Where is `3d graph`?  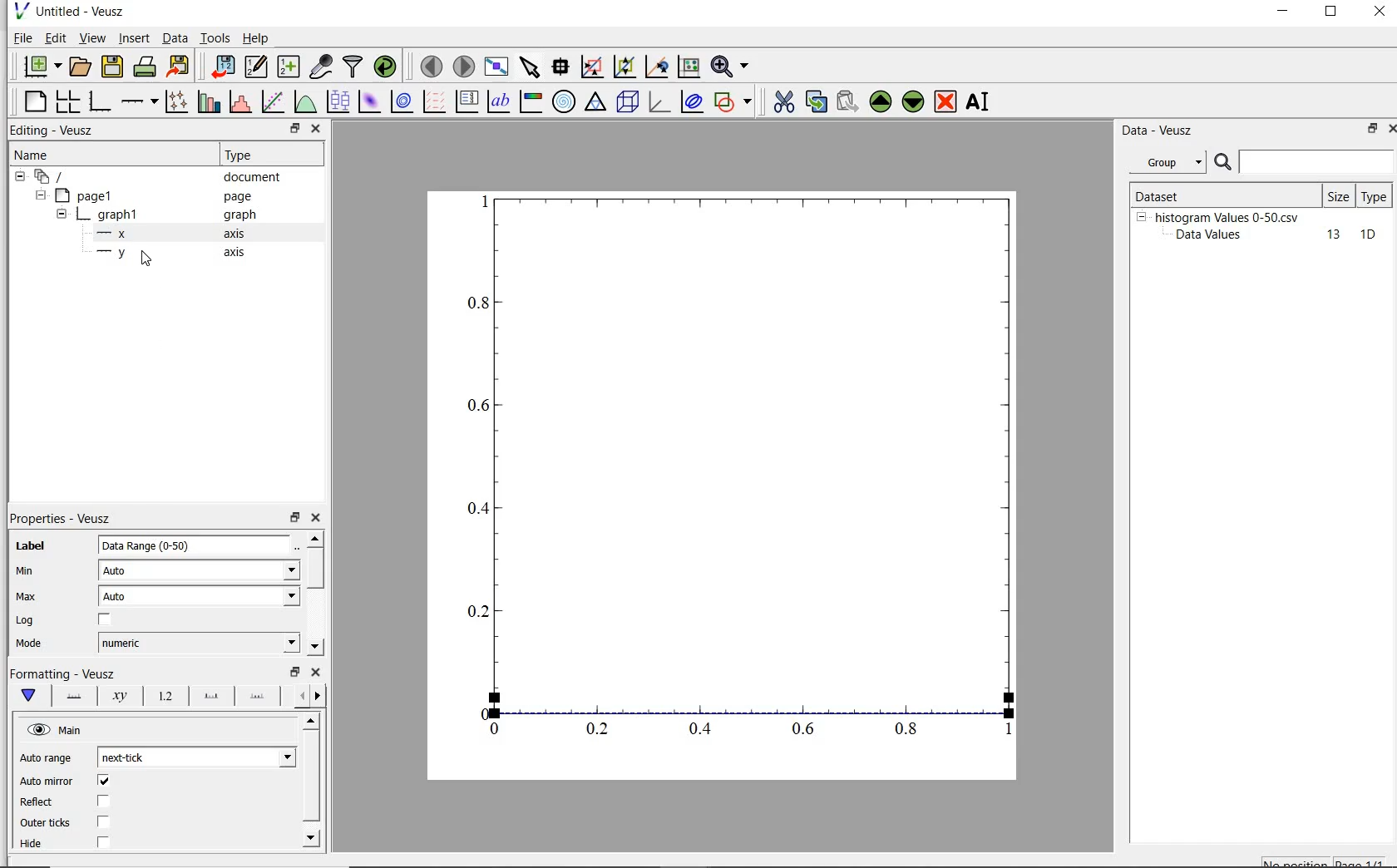
3d graph is located at coordinates (659, 102).